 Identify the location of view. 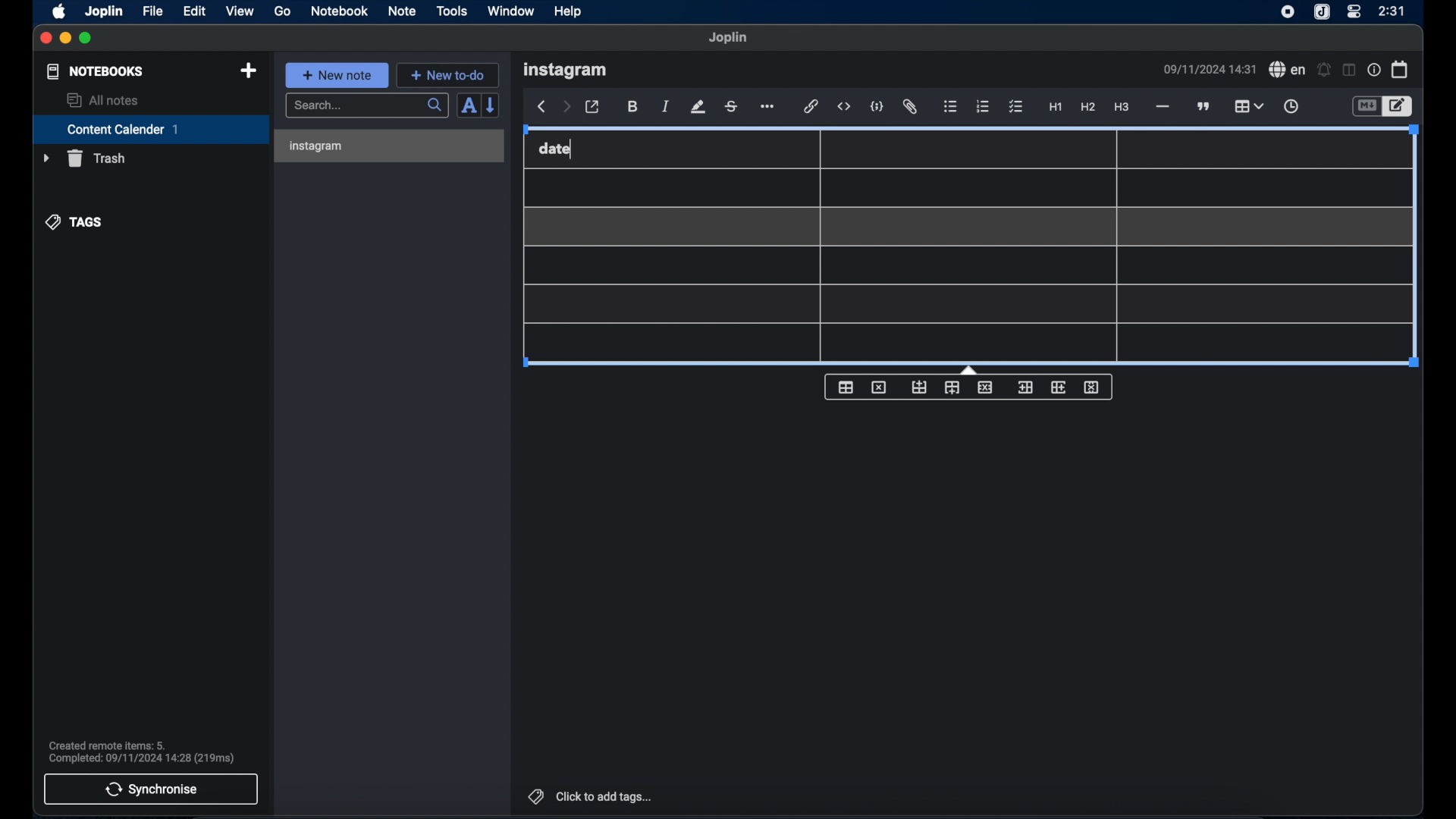
(240, 11).